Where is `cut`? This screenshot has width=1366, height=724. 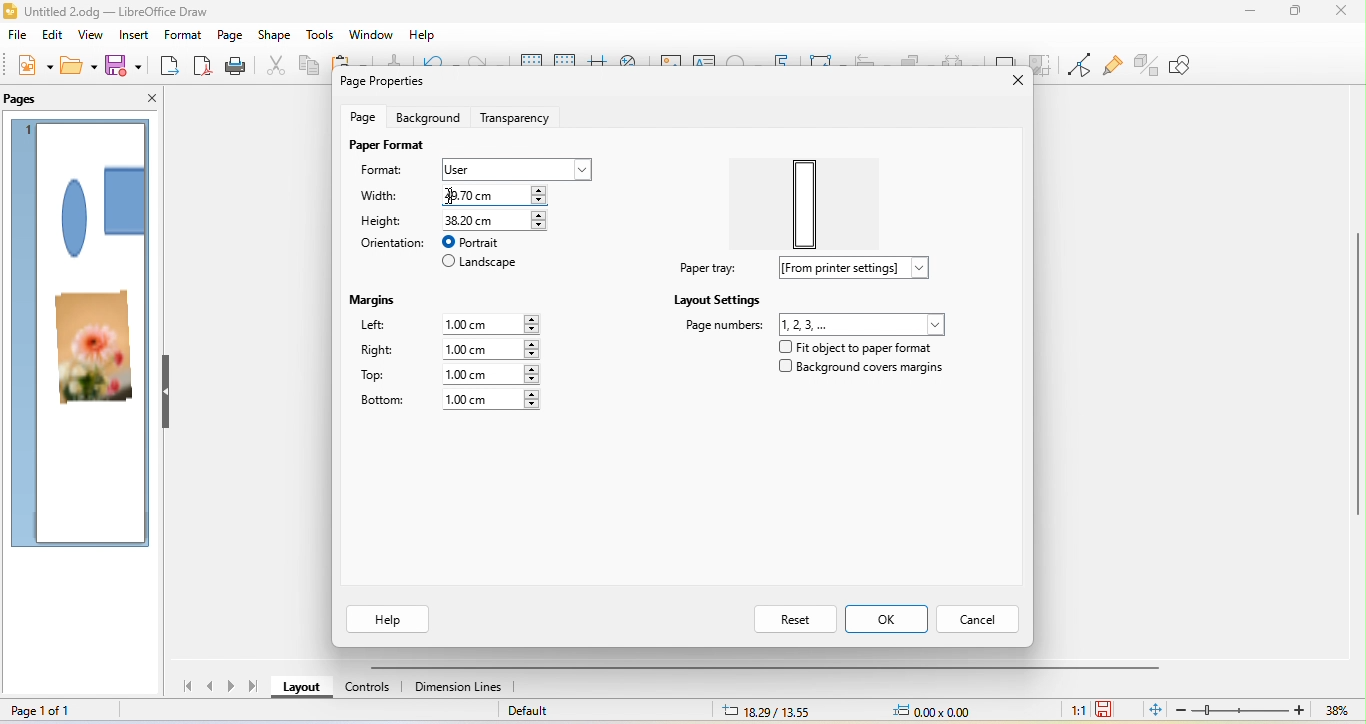
cut is located at coordinates (279, 68).